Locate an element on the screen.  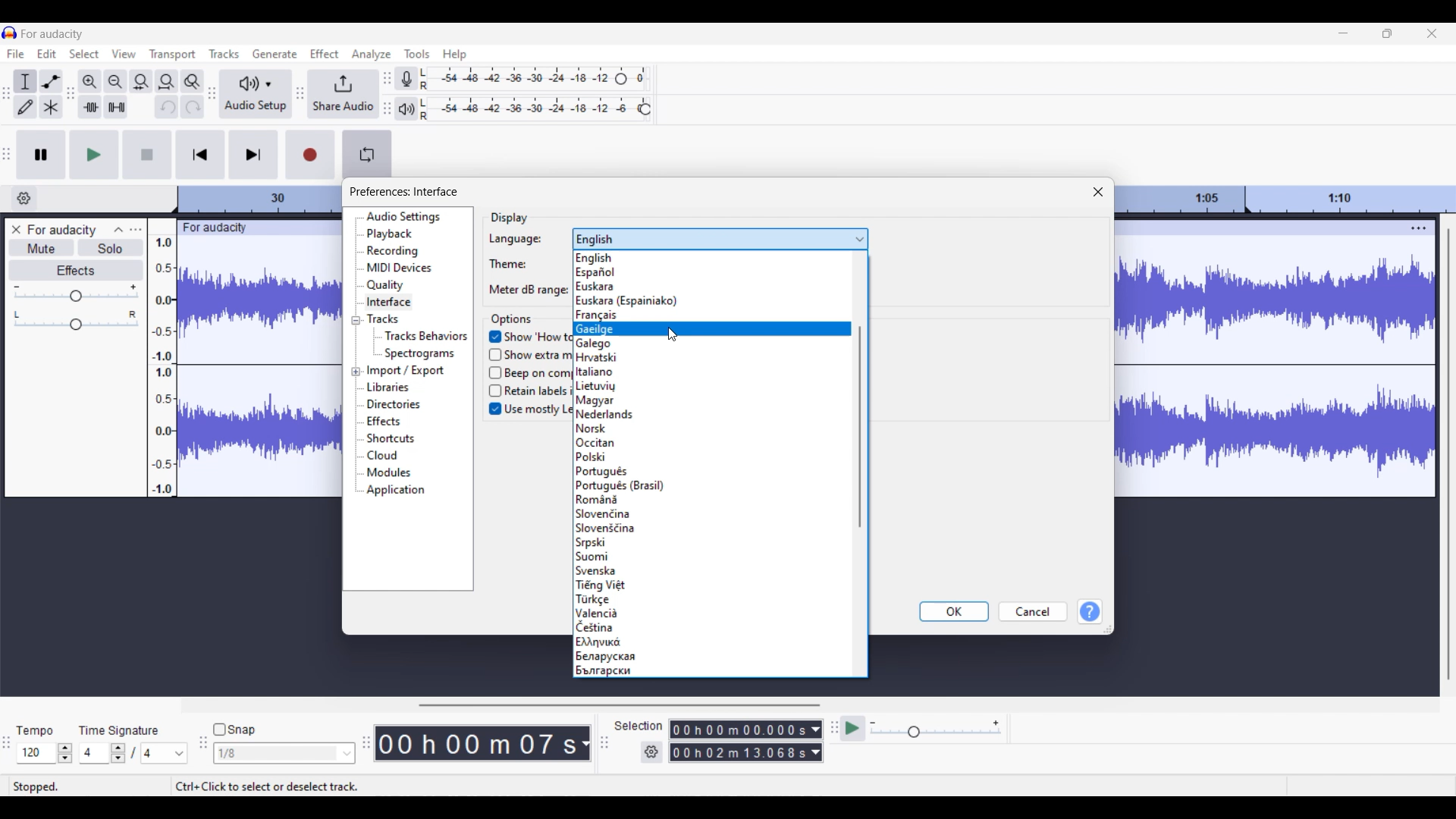
Quality is located at coordinates (385, 285).